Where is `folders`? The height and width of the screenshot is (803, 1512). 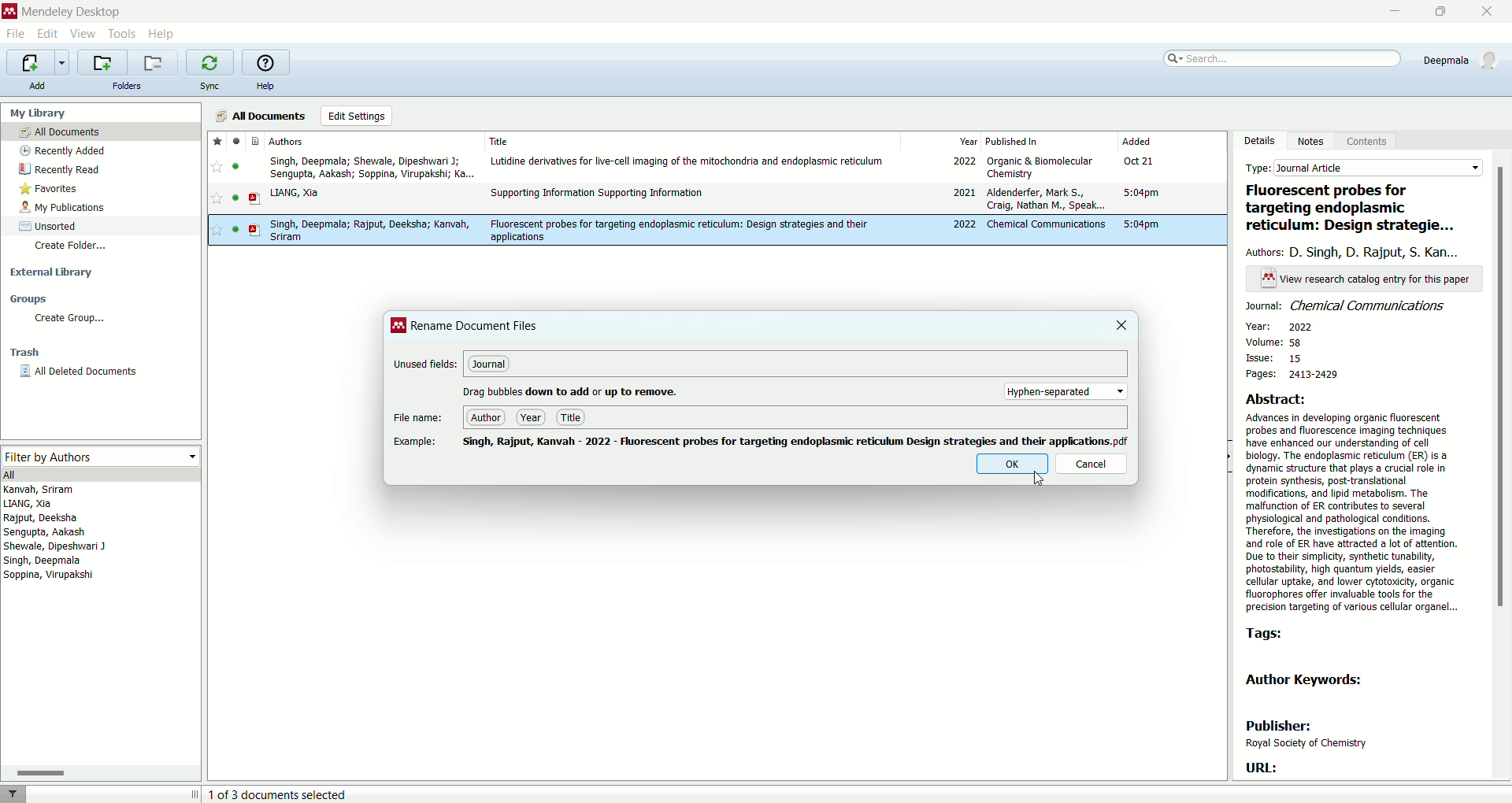
folders is located at coordinates (128, 87).